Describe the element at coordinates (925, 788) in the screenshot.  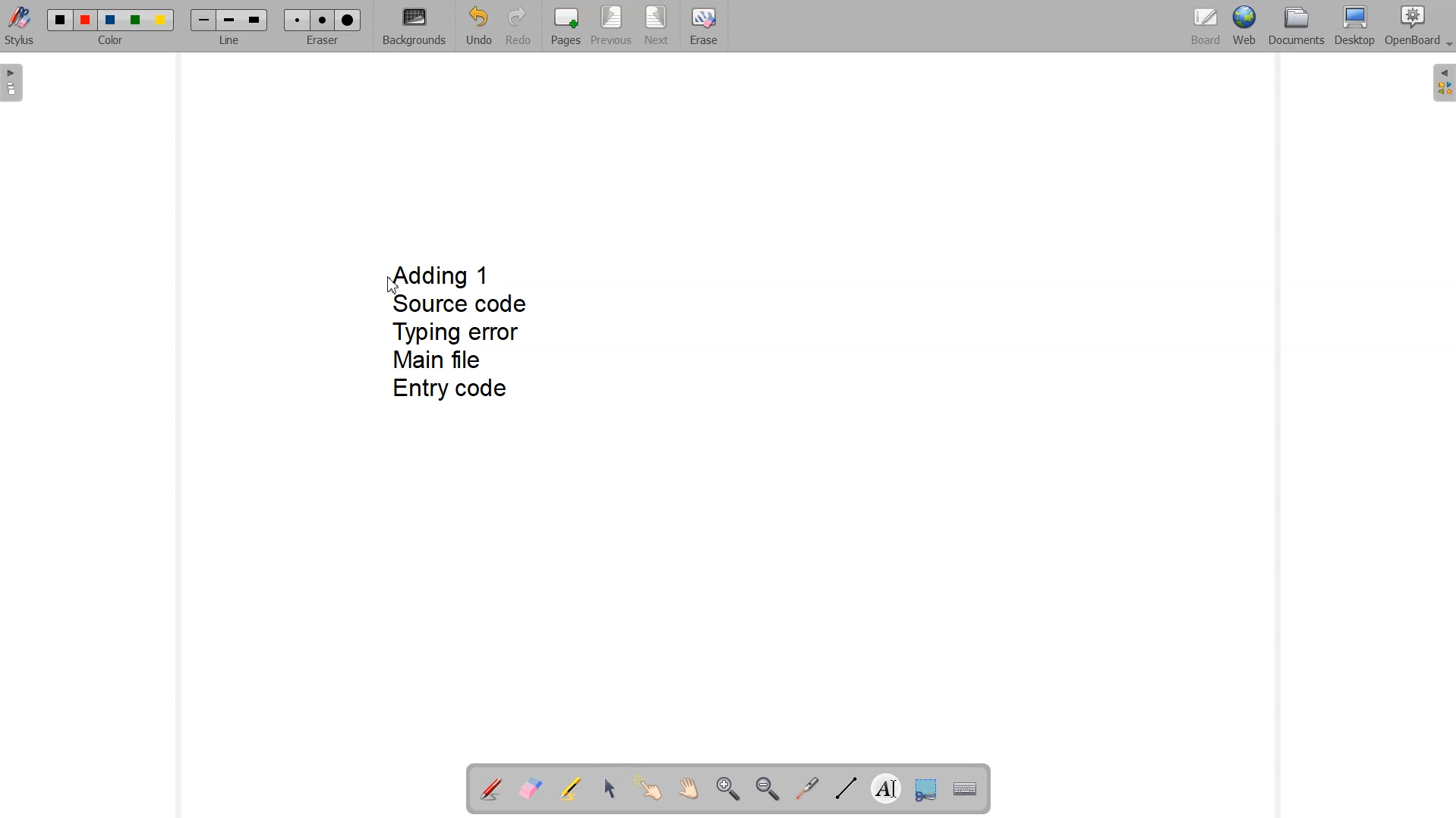
I see `Capture part of the screen` at that location.